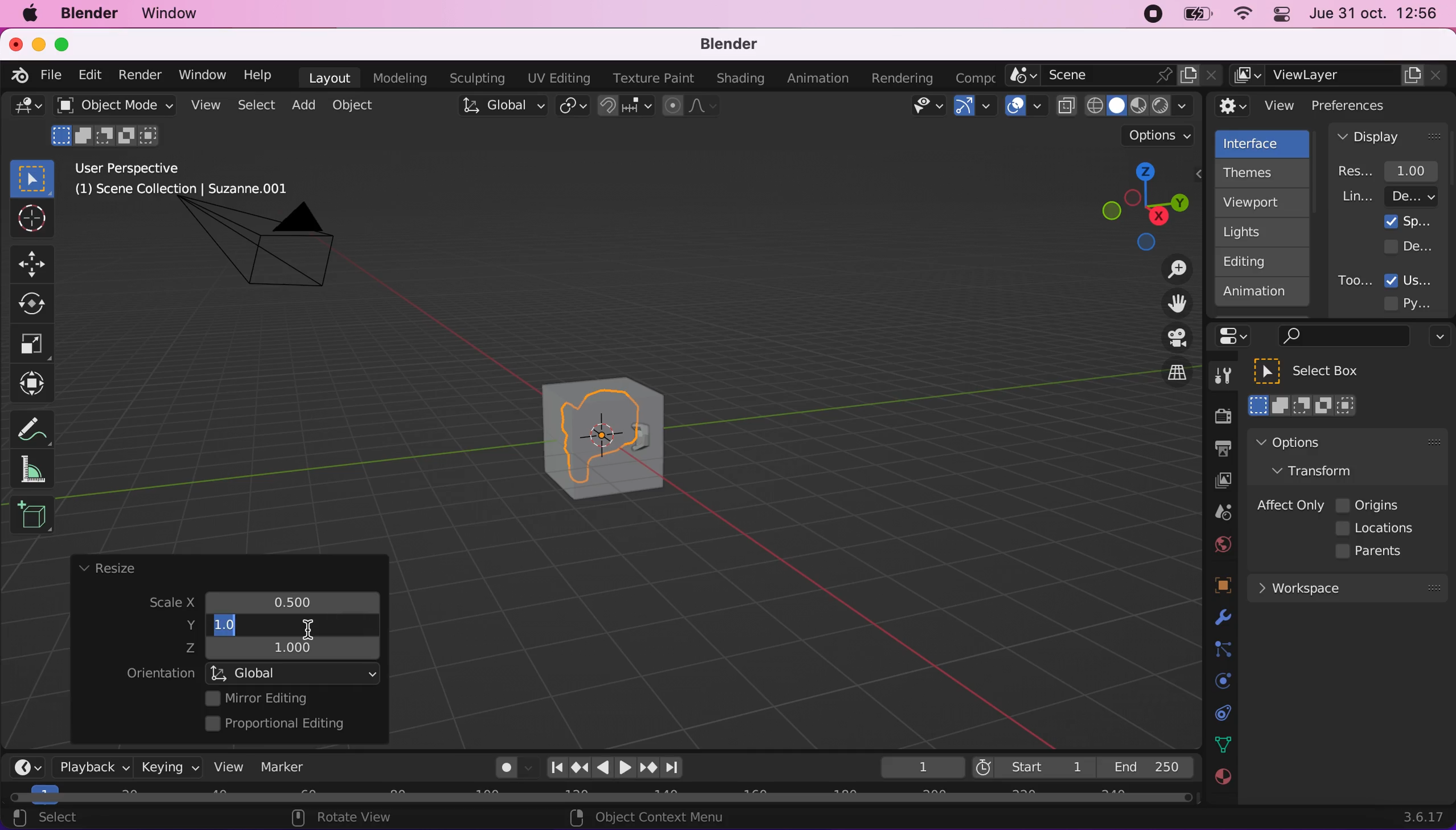 The width and height of the screenshot is (1456, 830). I want to click on resolution scale, so click(1394, 170).